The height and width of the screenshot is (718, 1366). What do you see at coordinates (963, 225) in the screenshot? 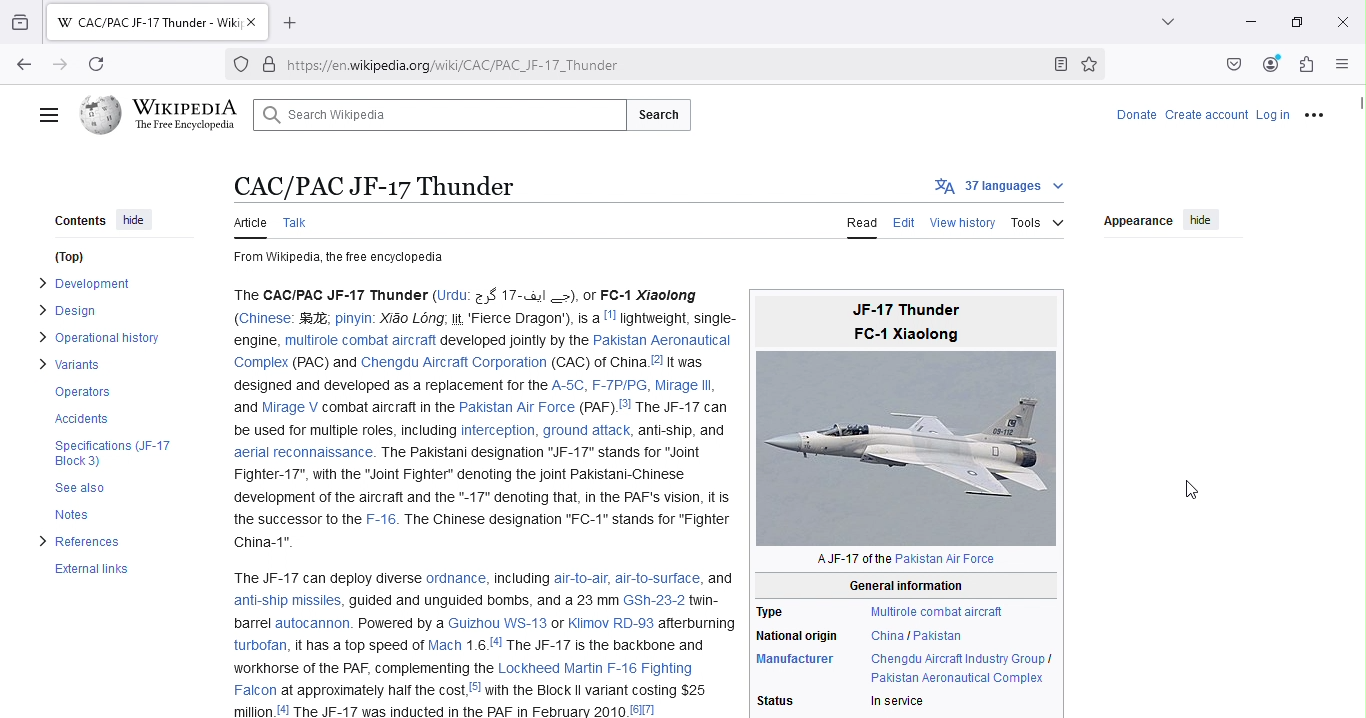
I see ` View history` at bounding box center [963, 225].